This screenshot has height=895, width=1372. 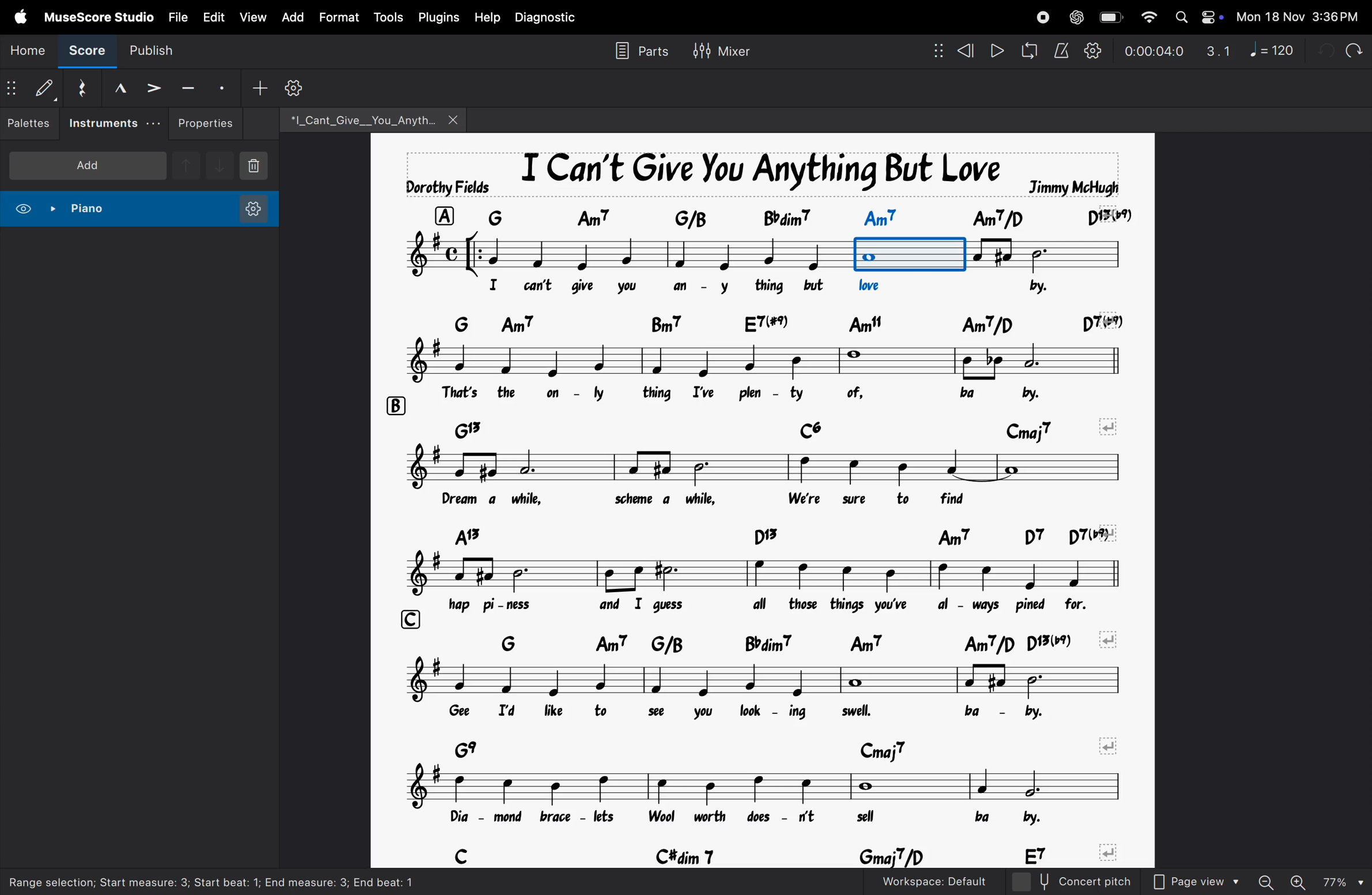 I want to click on chatgpt, so click(x=1075, y=18).